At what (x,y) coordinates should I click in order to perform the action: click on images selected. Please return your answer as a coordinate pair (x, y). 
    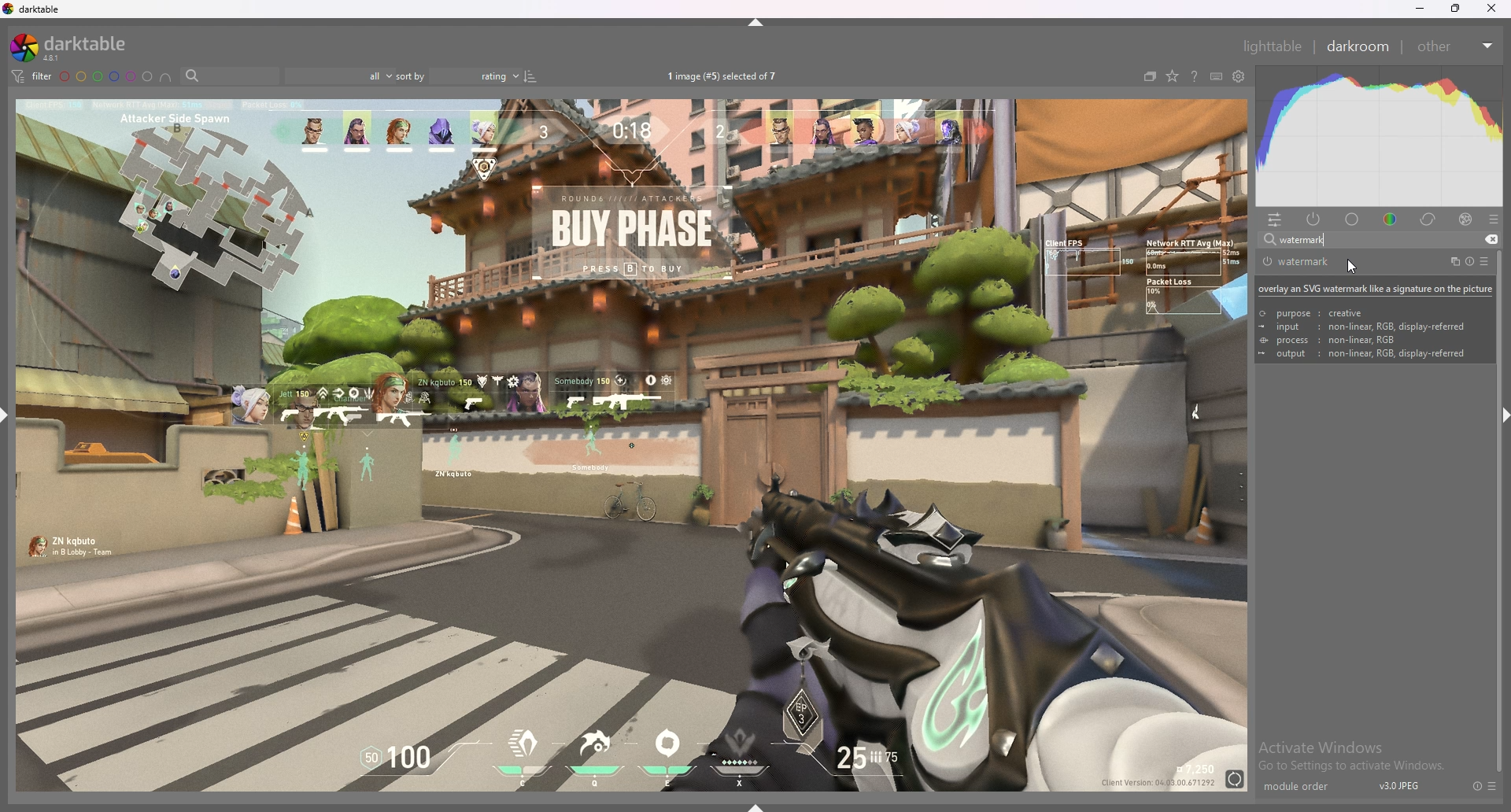
    Looking at the image, I should click on (725, 76).